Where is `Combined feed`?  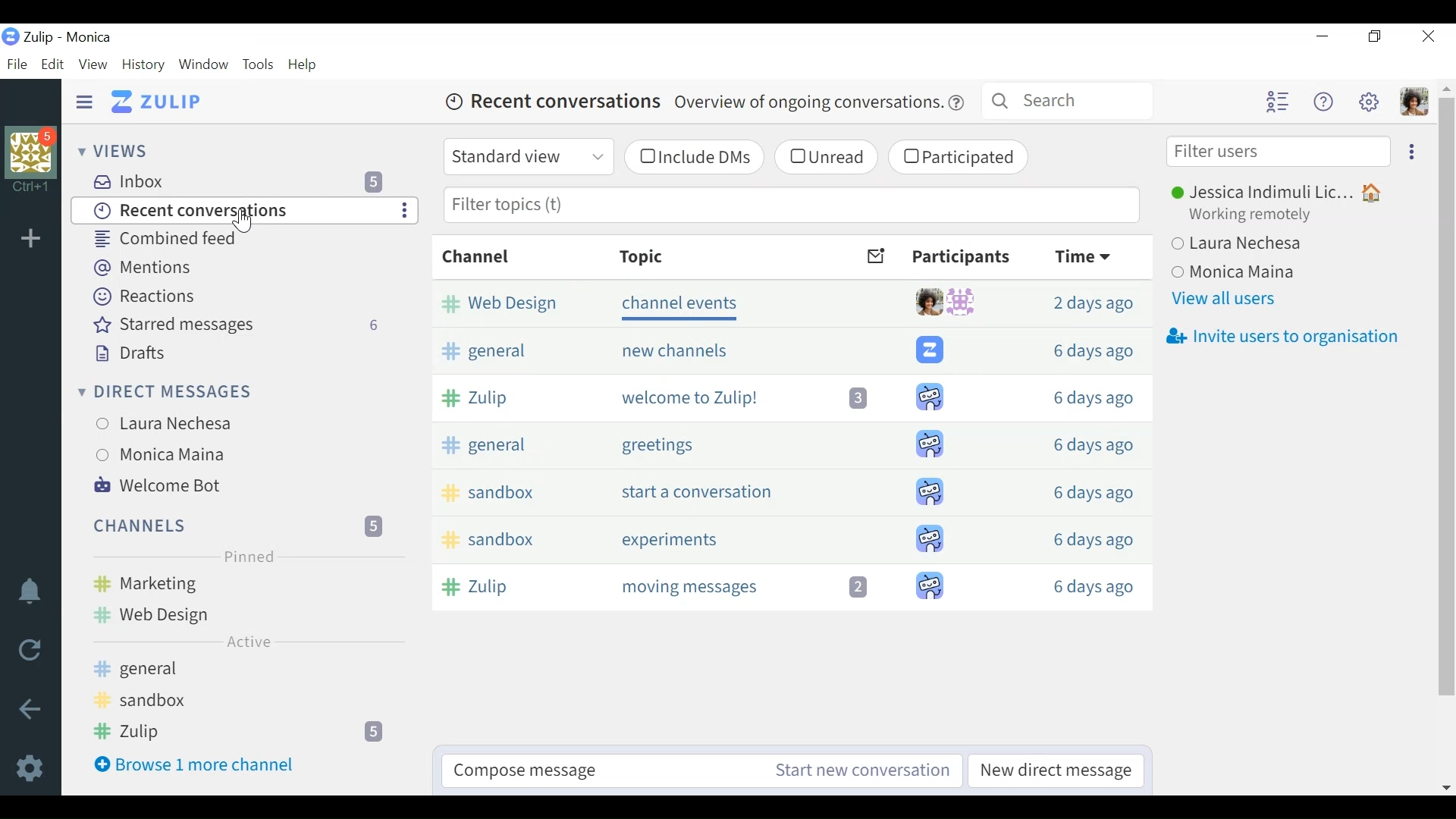
Combined feed is located at coordinates (206, 240).